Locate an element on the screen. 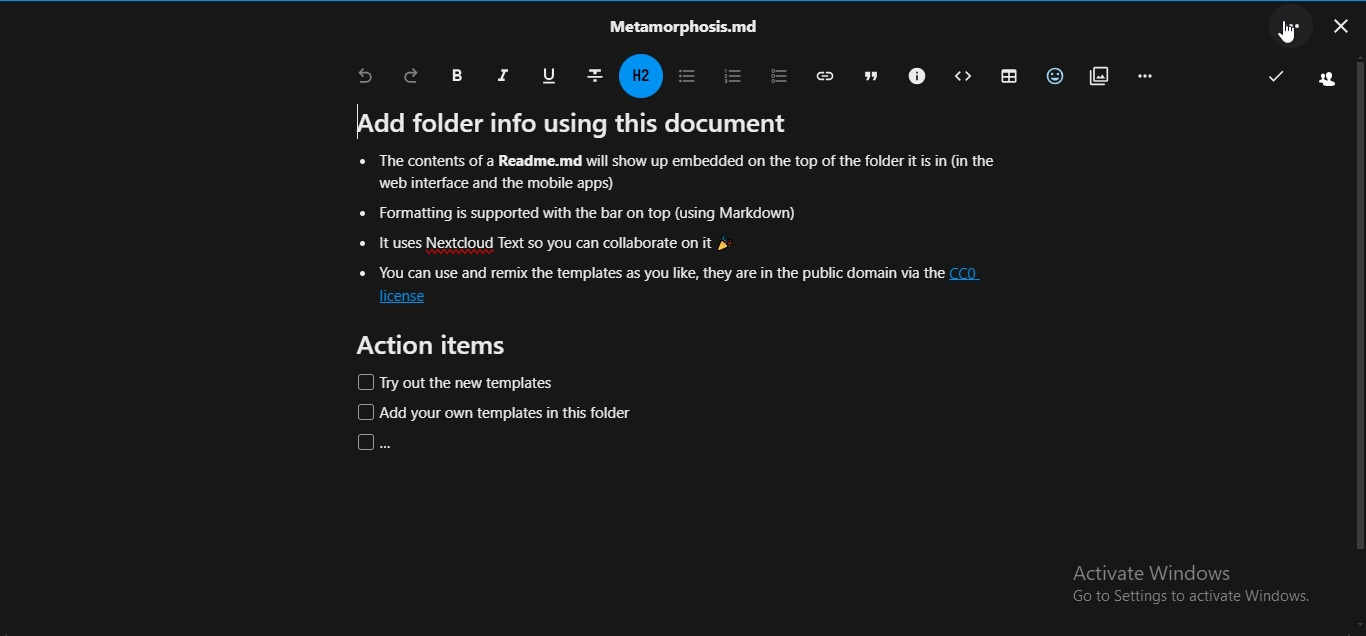 The image size is (1366, 636). underline is located at coordinates (552, 77).